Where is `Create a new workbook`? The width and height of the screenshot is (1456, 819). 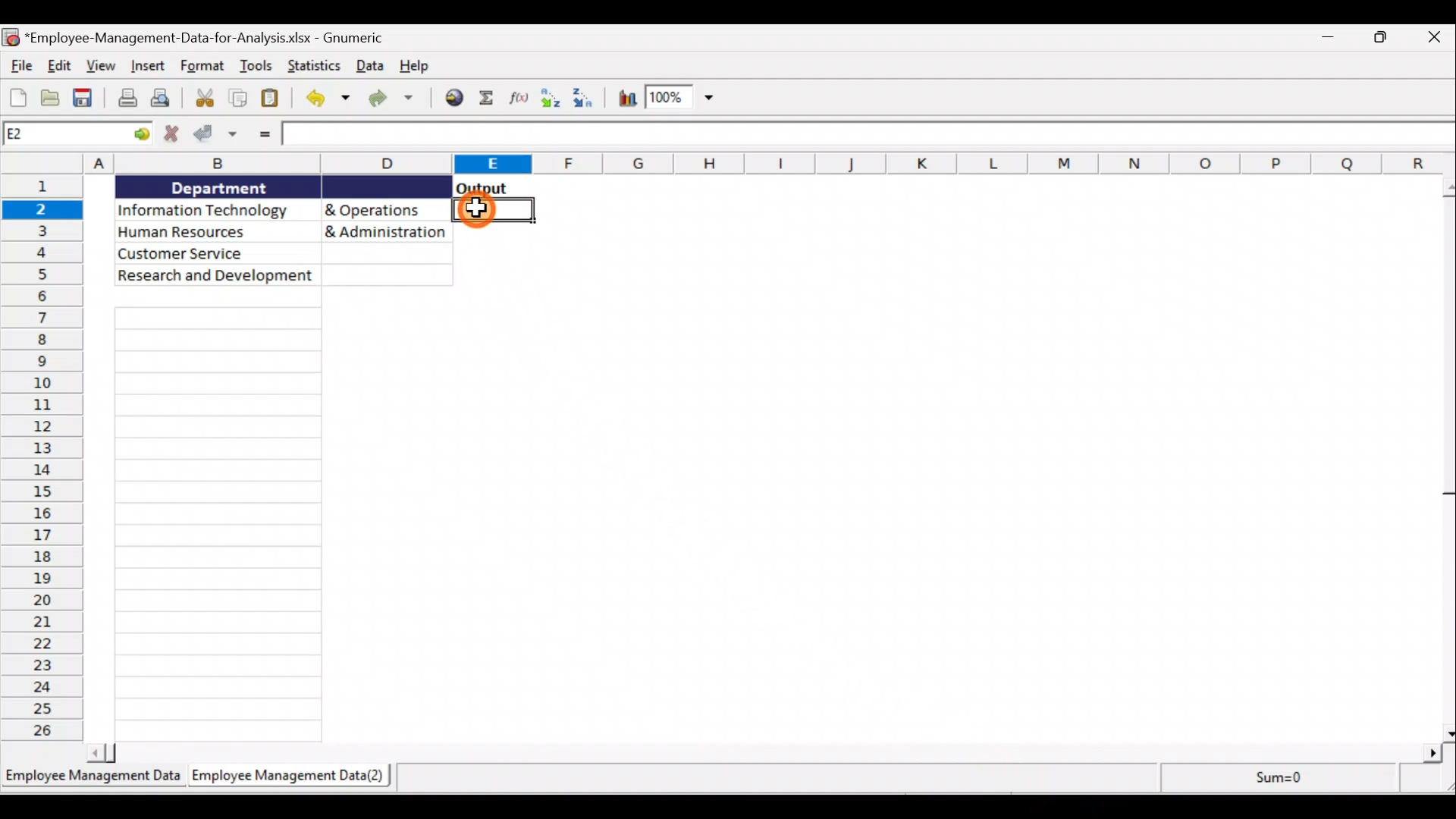 Create a new workbook is located at coordinates (17, 96).